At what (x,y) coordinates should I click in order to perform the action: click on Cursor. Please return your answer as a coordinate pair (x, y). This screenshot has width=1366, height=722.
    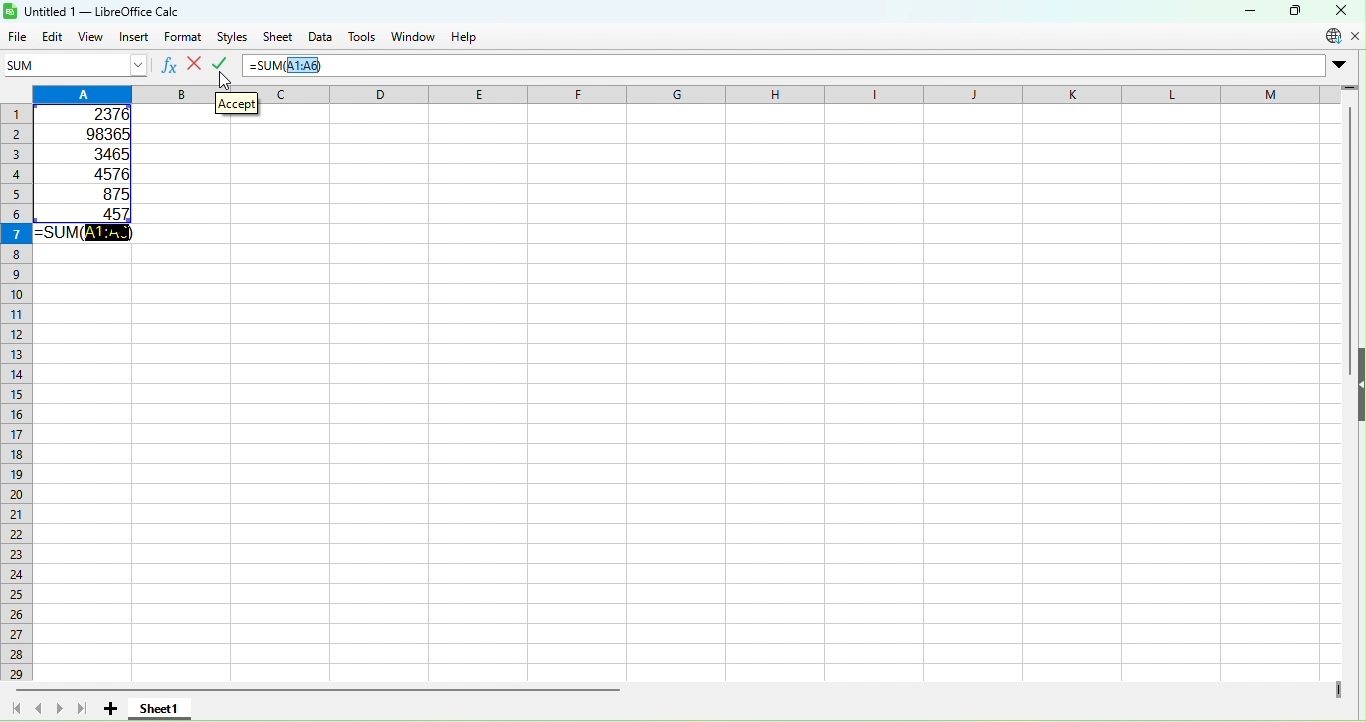
    Looking at the image, I should click on (223, 78).